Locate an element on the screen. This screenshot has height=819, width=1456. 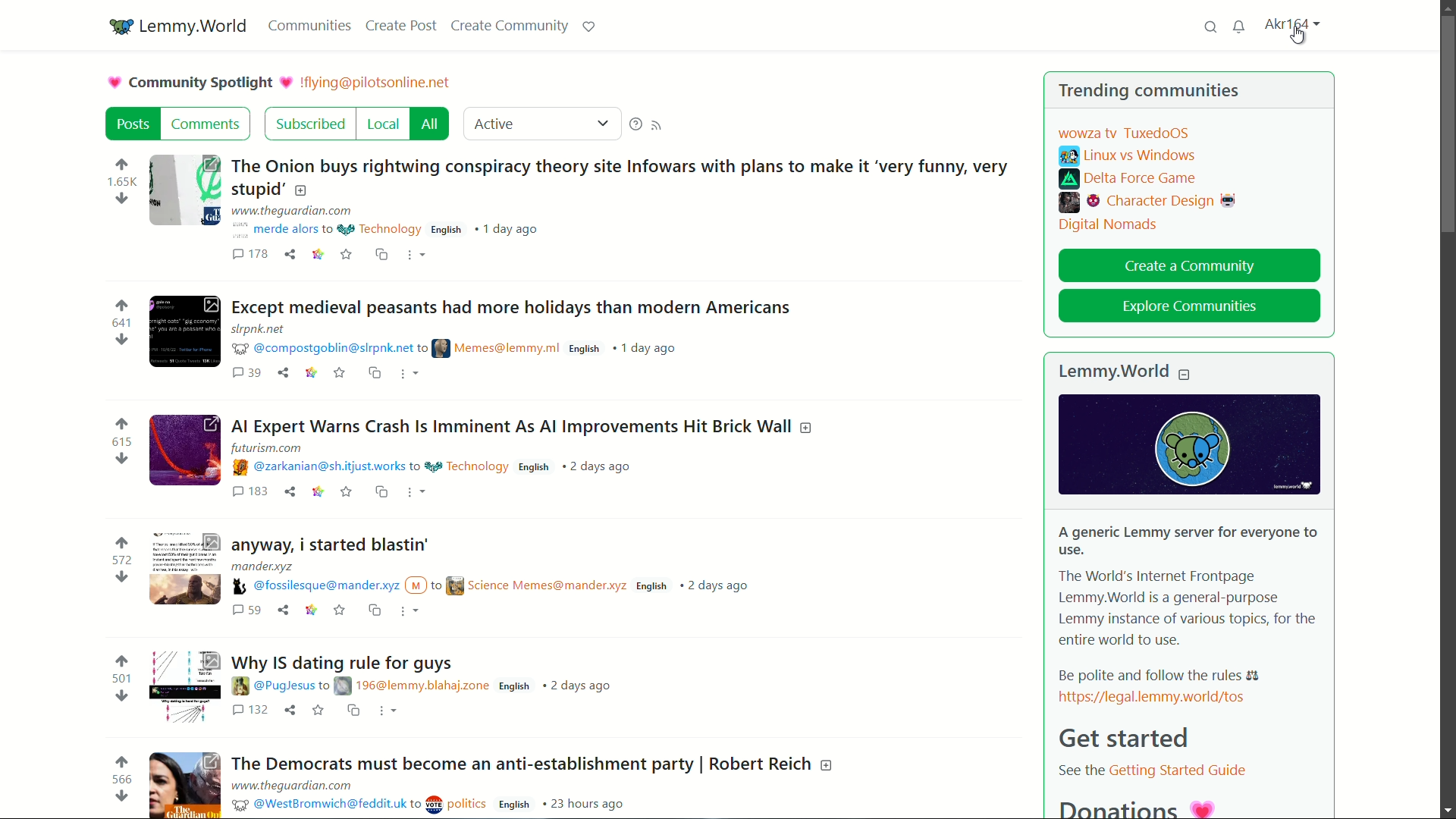
communities is located at coordinates (308, 26).